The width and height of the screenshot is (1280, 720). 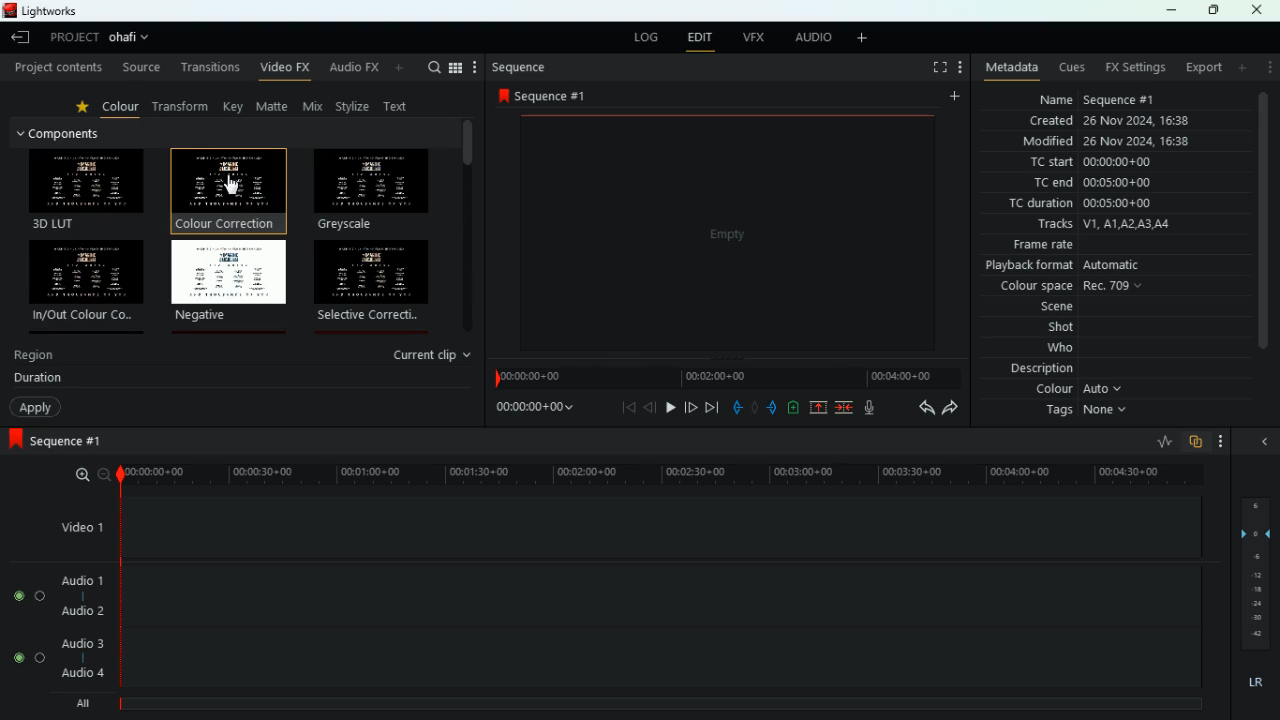 I want to click on colour space, so click(x=1074, y=287).